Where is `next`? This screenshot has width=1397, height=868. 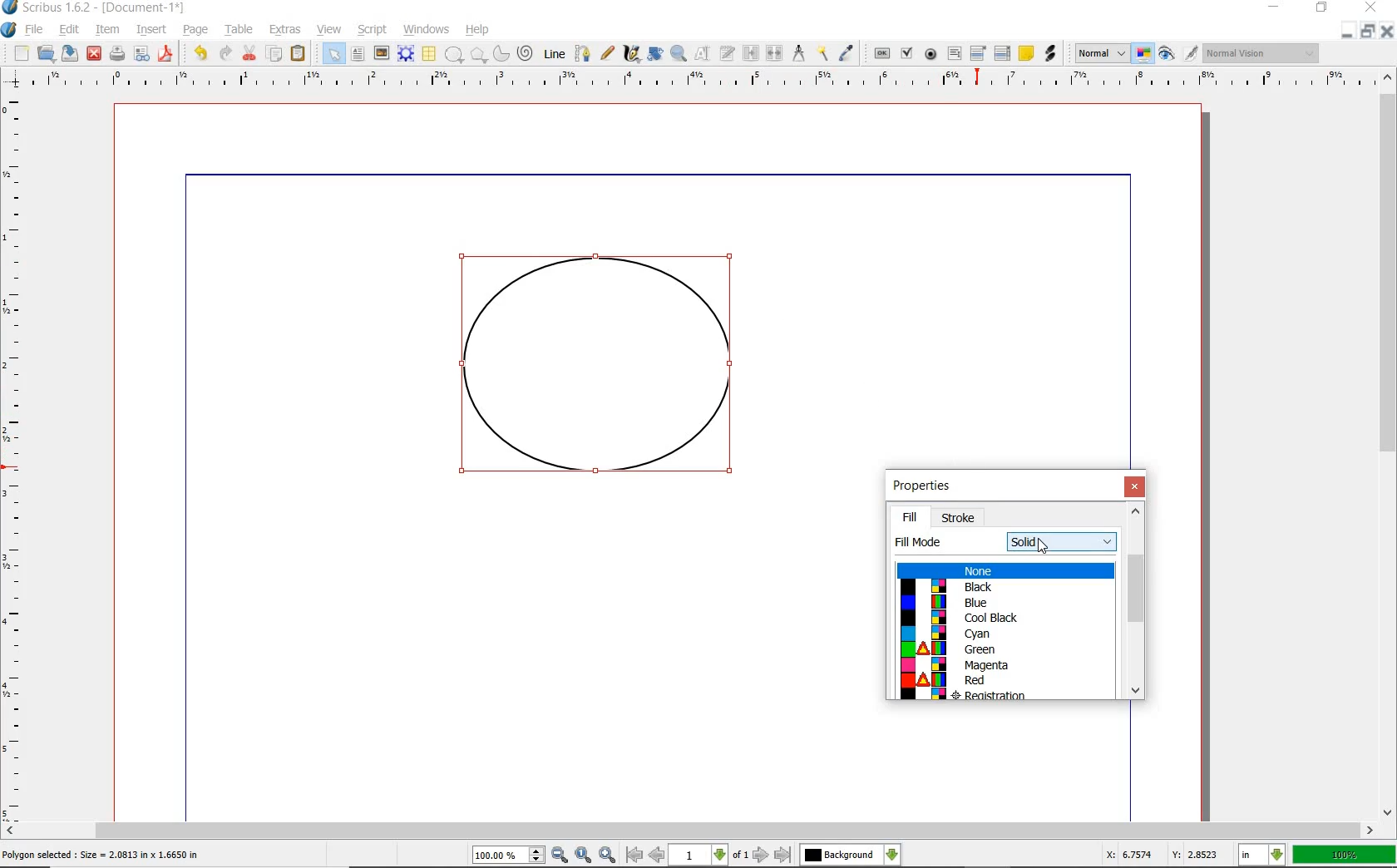
next is located at coordinates (761, 855).